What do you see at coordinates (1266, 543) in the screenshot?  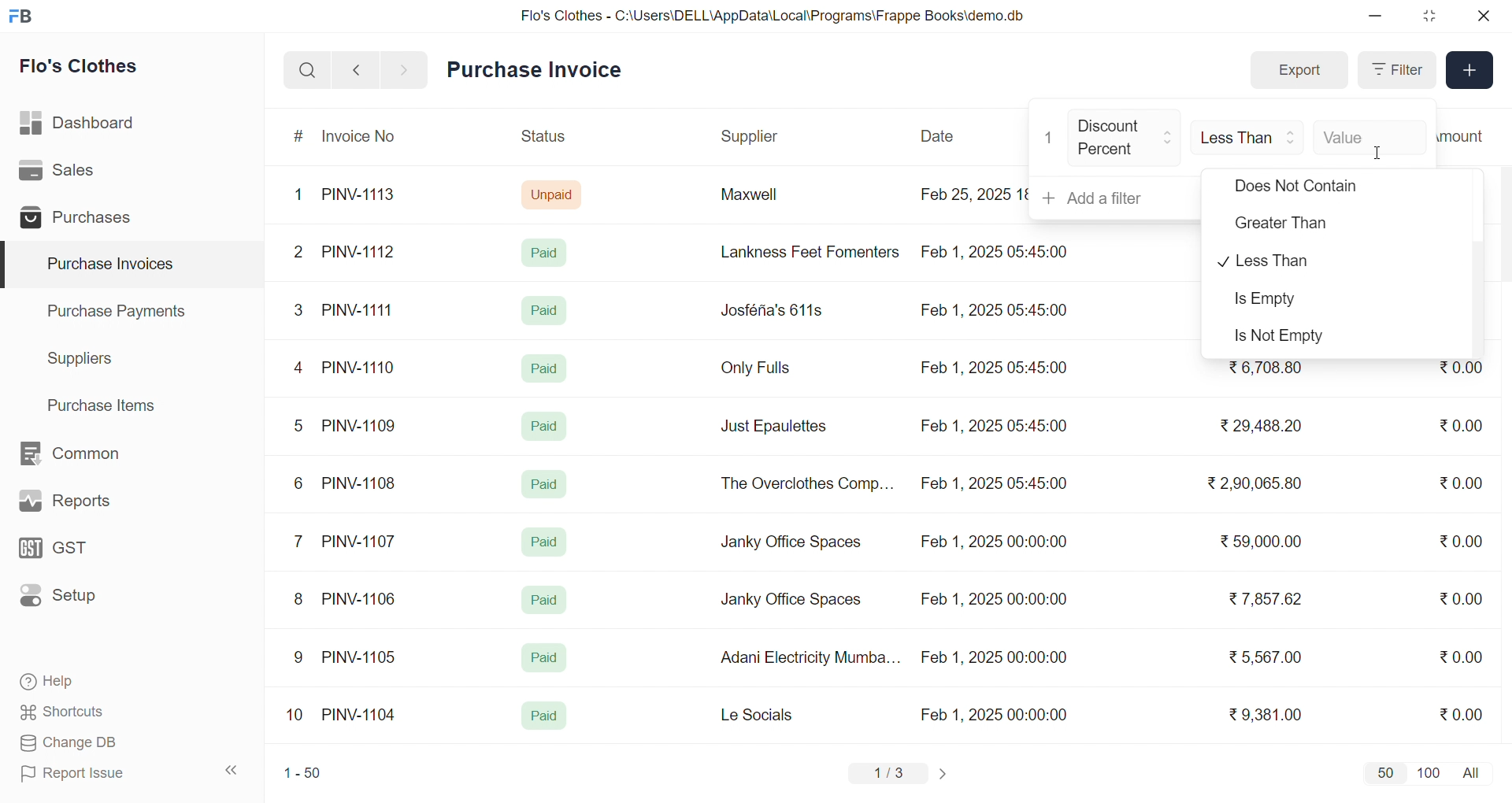 I see `₹ 59,000.00` at bounding box center [1266, 543].